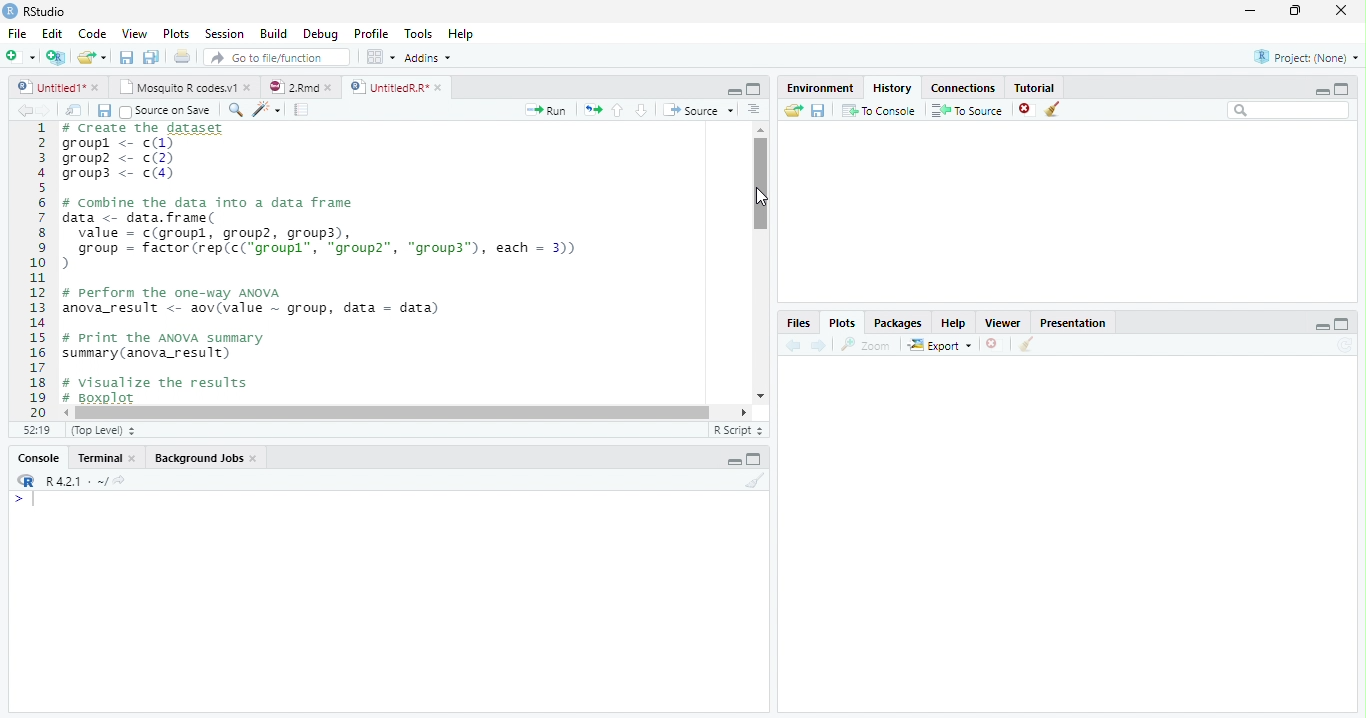  I want to click on Viewer, so click(1005, 322).